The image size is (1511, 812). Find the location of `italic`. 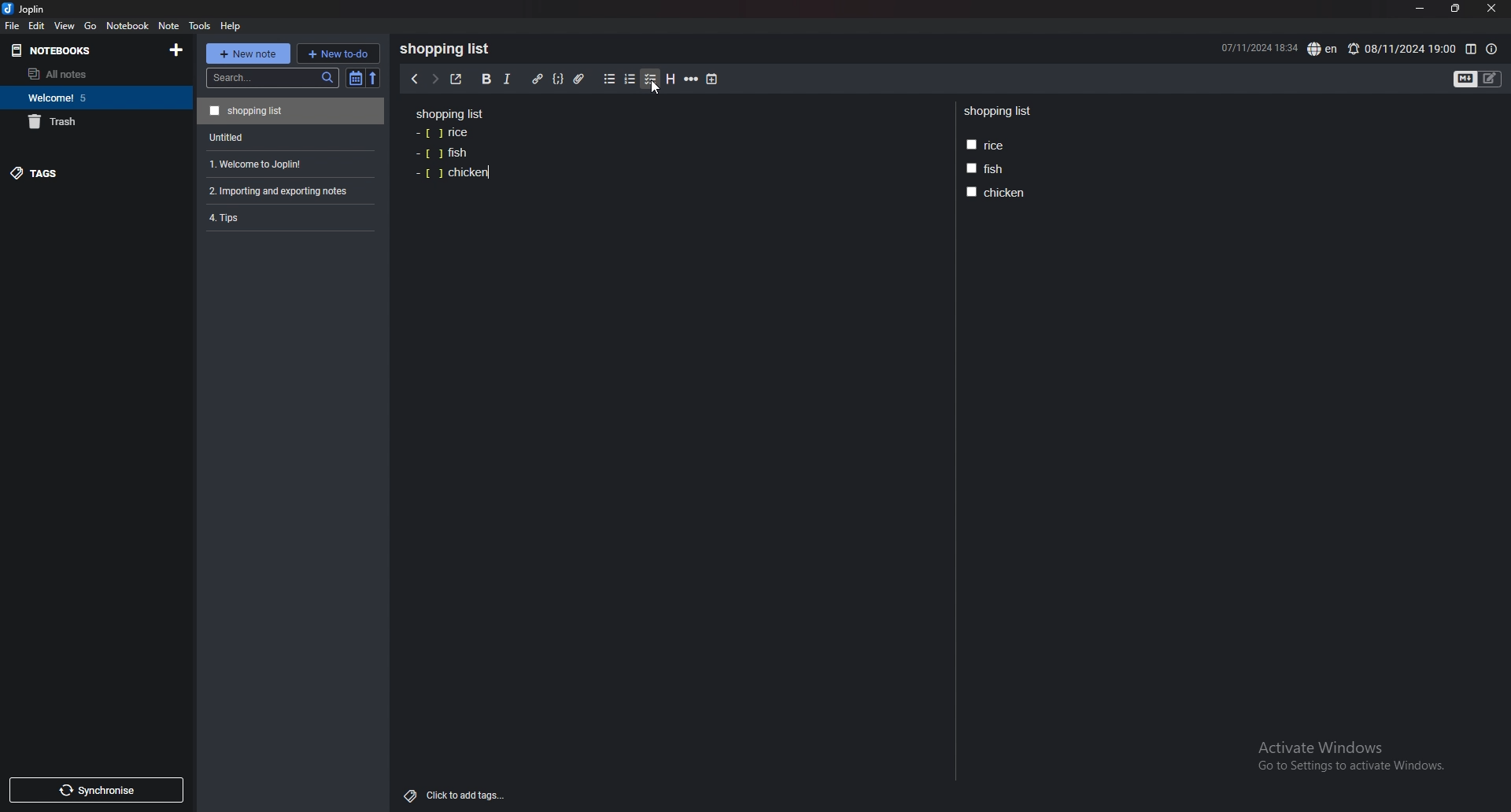

italic is located at coordinates (508, 79).